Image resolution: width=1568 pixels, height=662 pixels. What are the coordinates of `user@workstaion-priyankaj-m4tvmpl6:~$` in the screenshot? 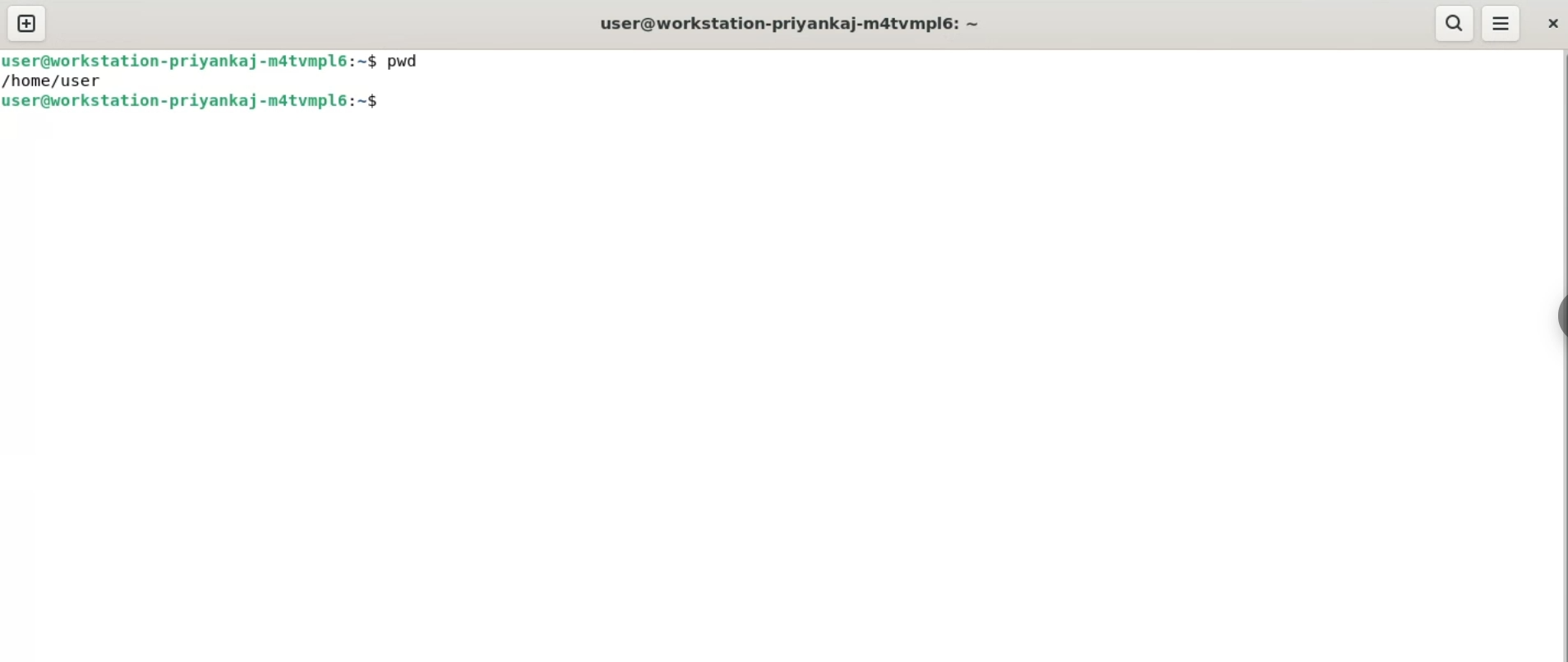 It's located at (189, 60).